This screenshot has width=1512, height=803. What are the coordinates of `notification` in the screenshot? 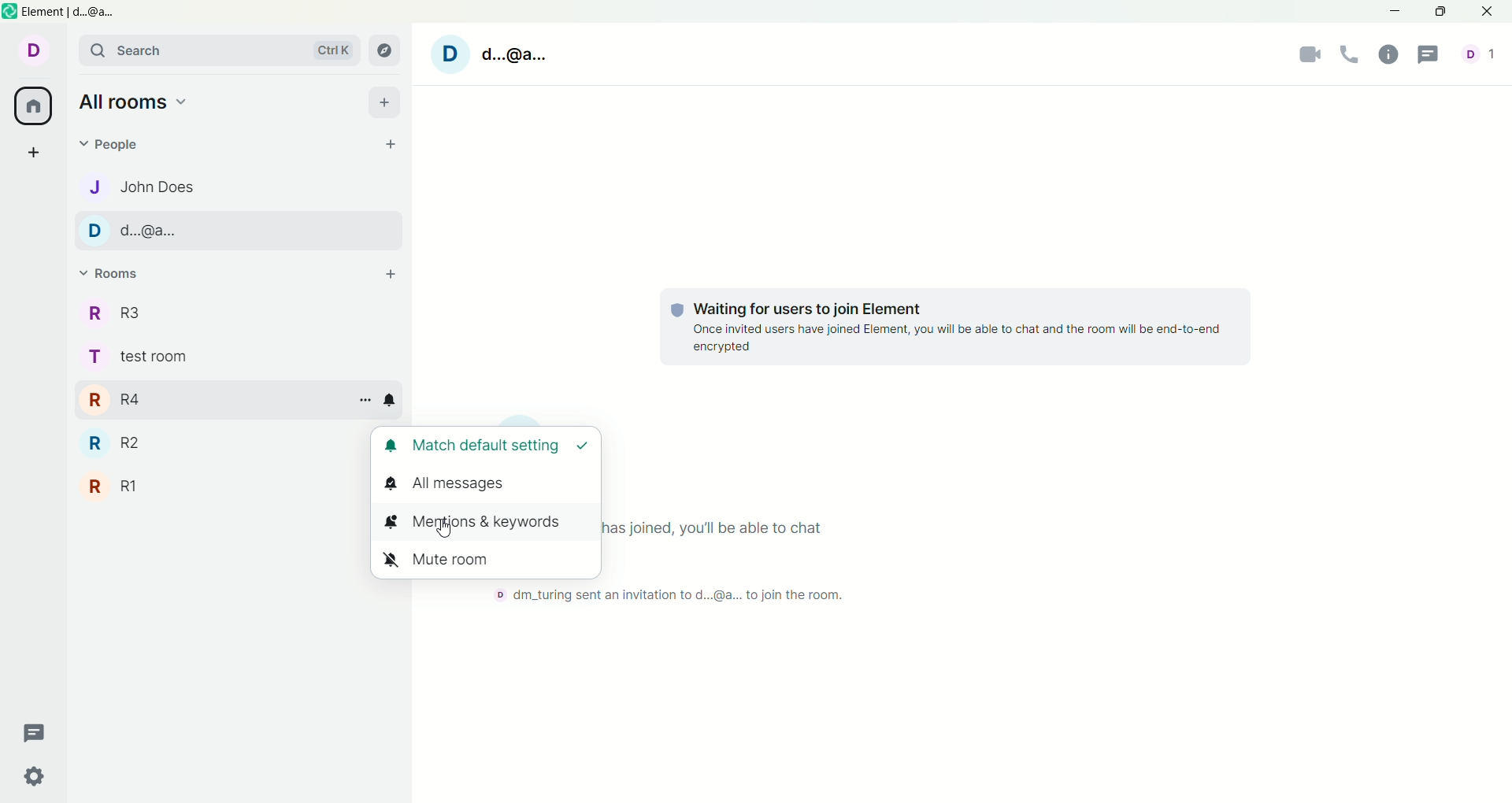 It's located at (390, 403).